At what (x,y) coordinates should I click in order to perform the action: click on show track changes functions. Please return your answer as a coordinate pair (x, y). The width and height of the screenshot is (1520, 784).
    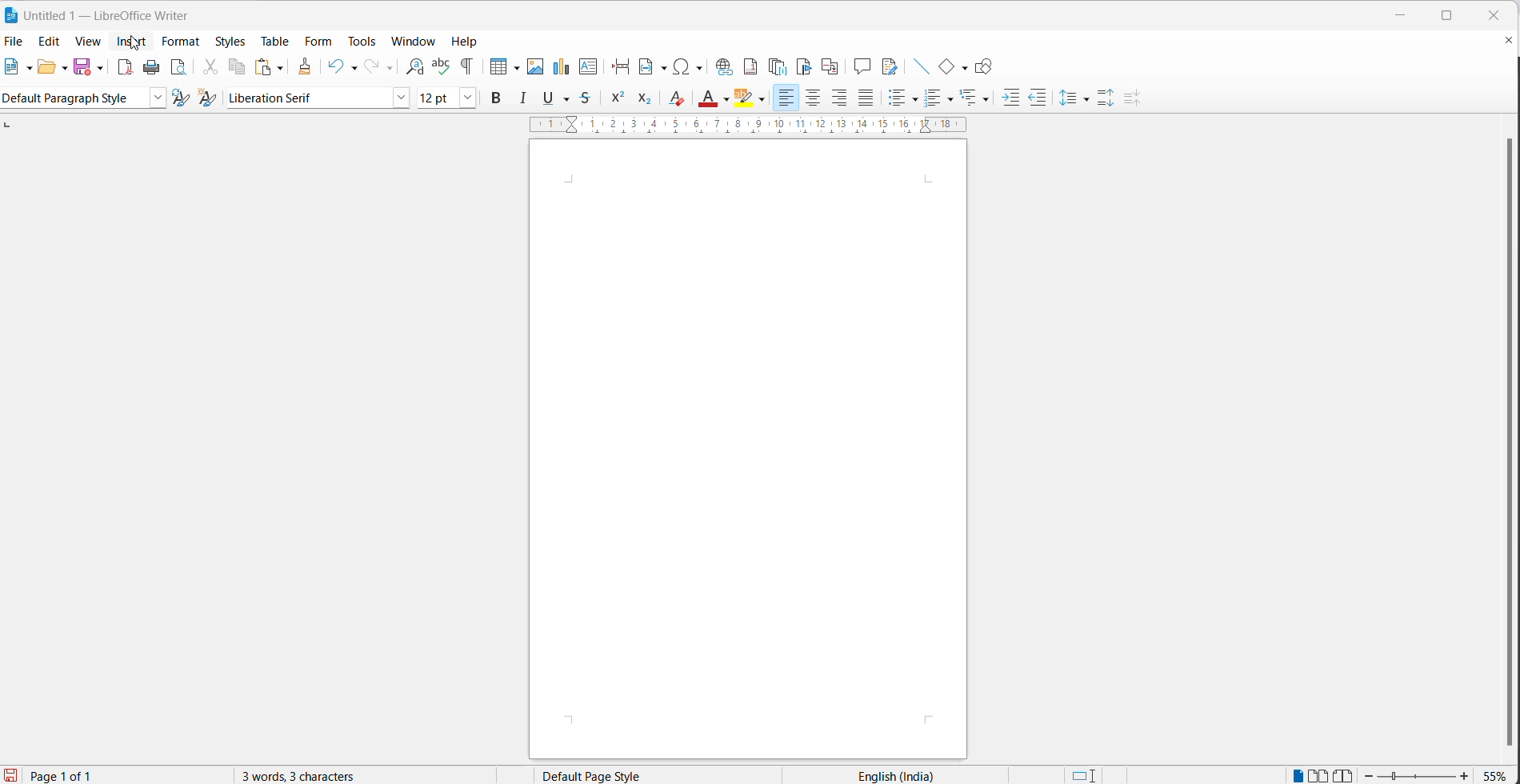
    Looking at the image, I should click on (889, 66).